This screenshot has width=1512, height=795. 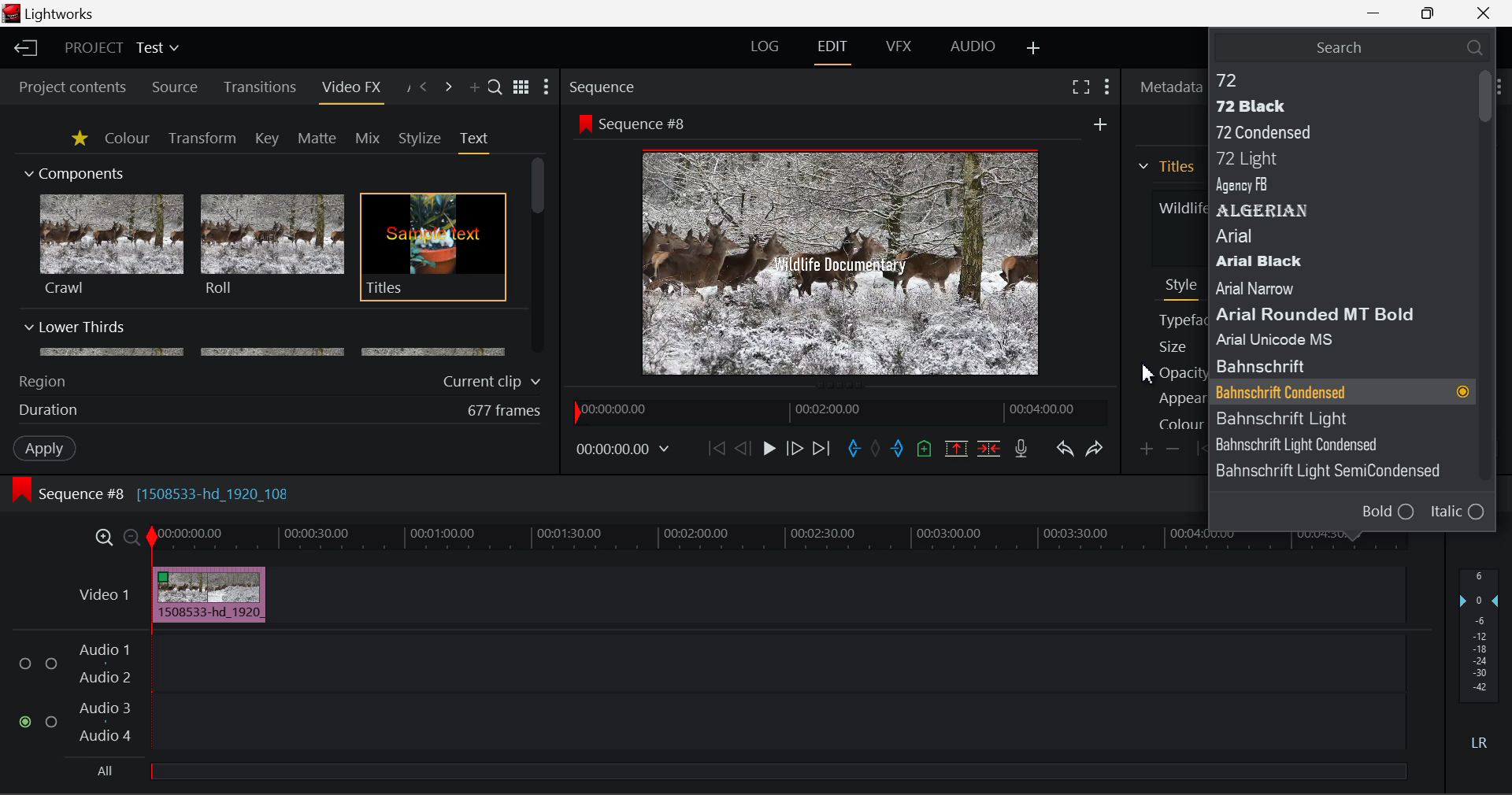 I want to click on Scroll Bar, so click(x=1489, y=294).